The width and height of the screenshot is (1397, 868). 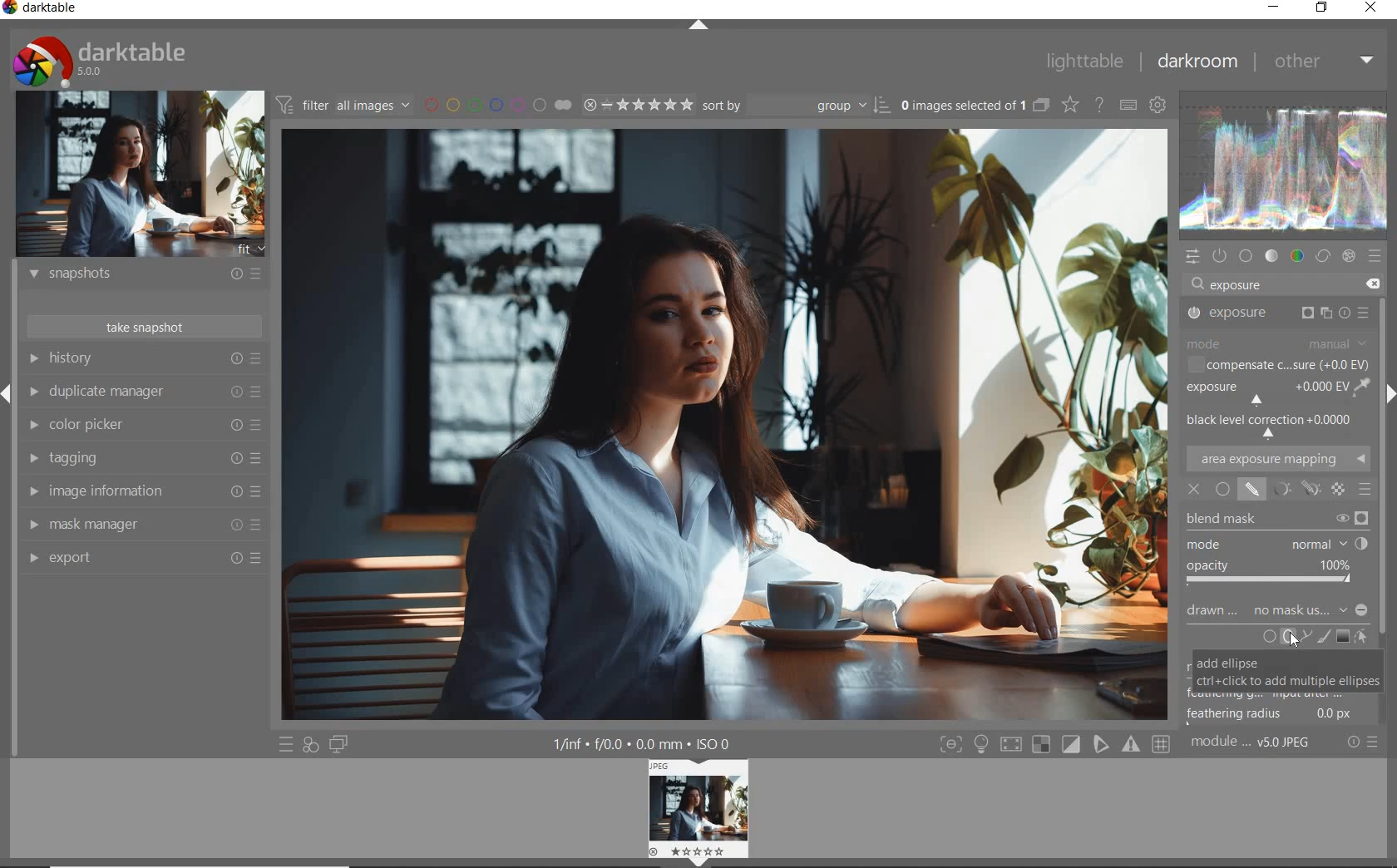 I want to click on enable online help, so click(x=1100, y=105).